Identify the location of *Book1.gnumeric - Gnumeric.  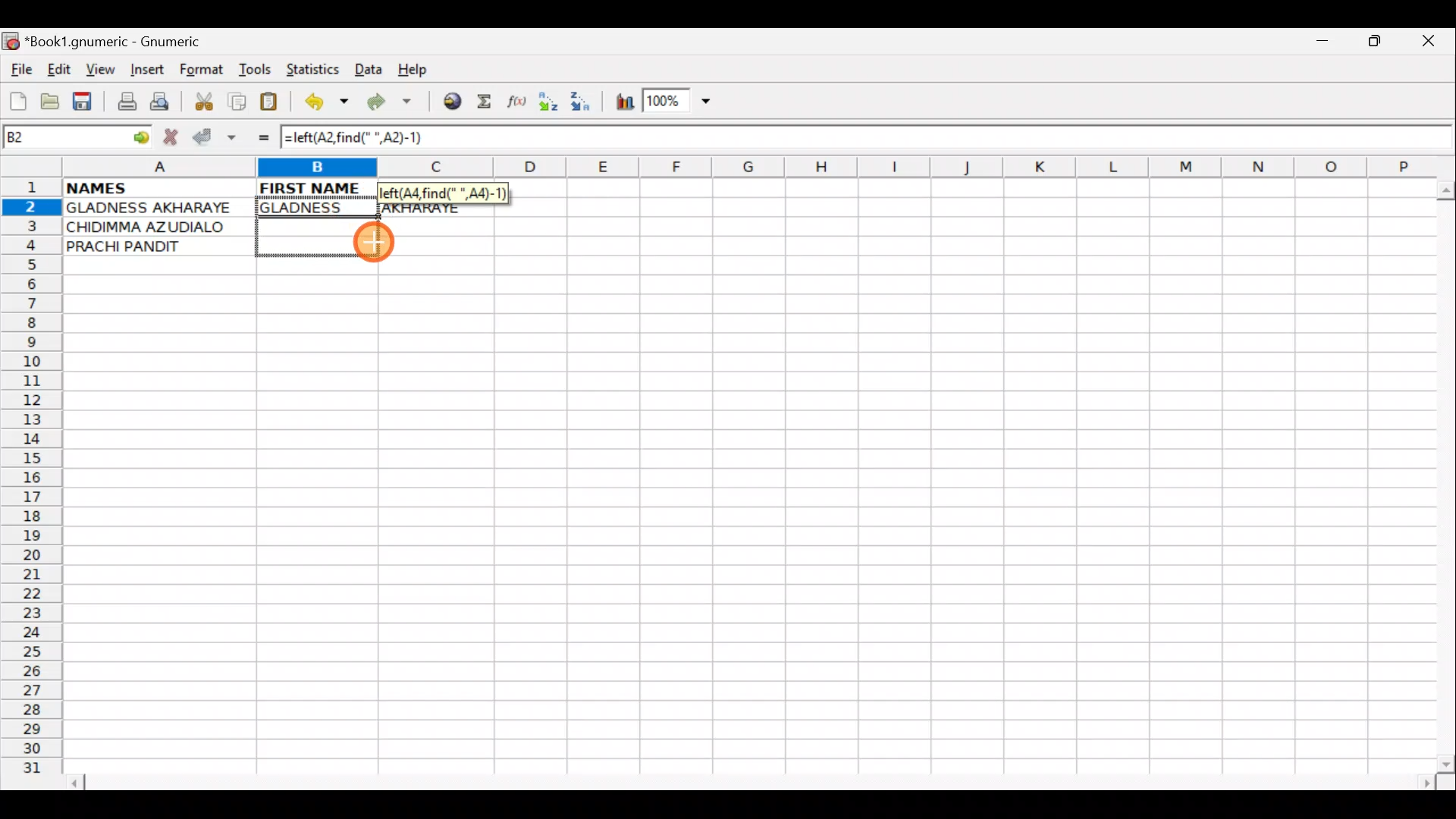
(127, 42).